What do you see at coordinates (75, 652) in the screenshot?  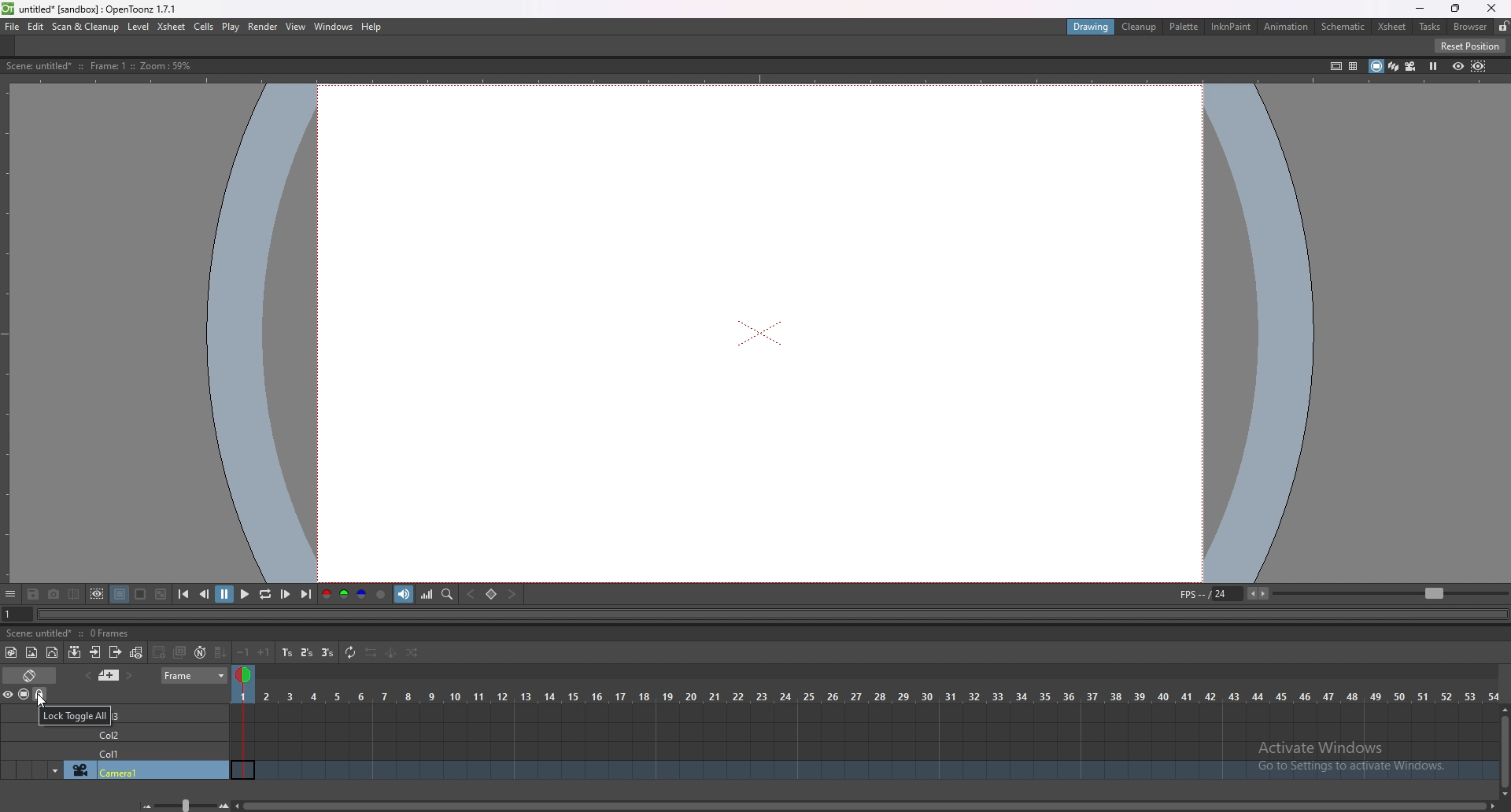 I see `collapse` at bounding box center [75, 652].